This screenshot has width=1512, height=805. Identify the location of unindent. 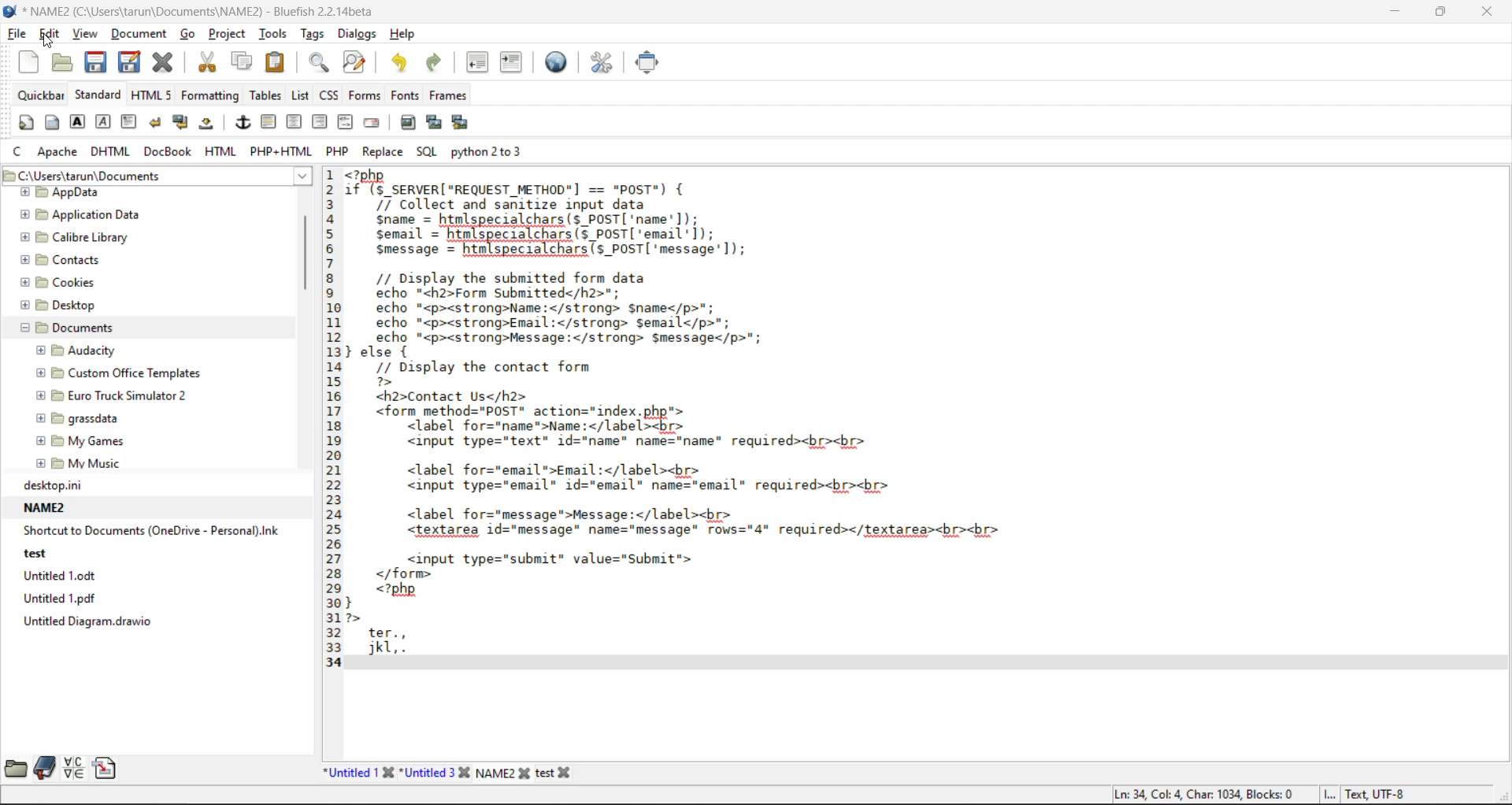
(482, 63).